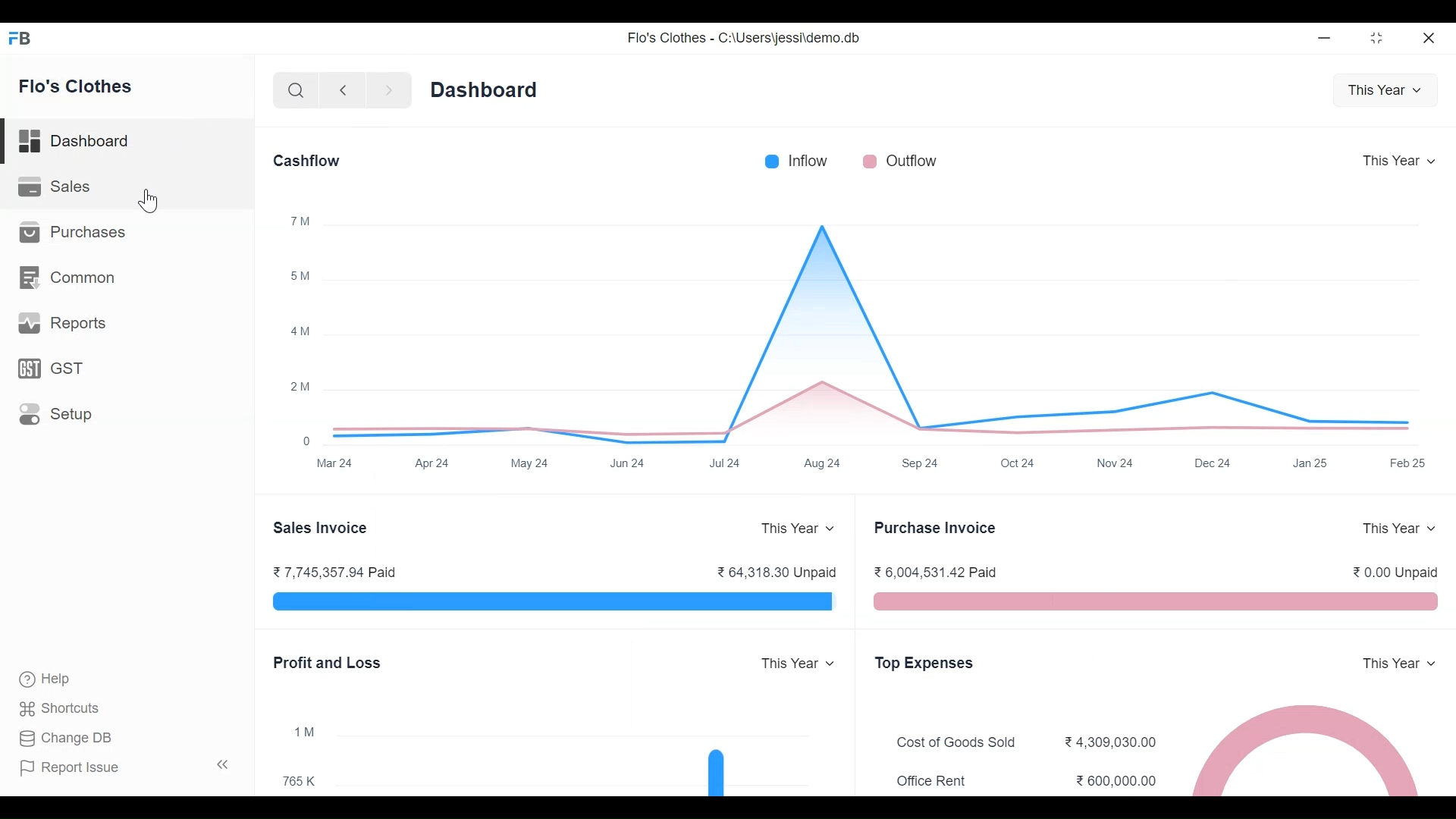 The height and width of the screenshot is (819, 1456). What do you see at coordinates (303, 733) in the screenshot?
I see `1 M` at bounding box center [303, 733].